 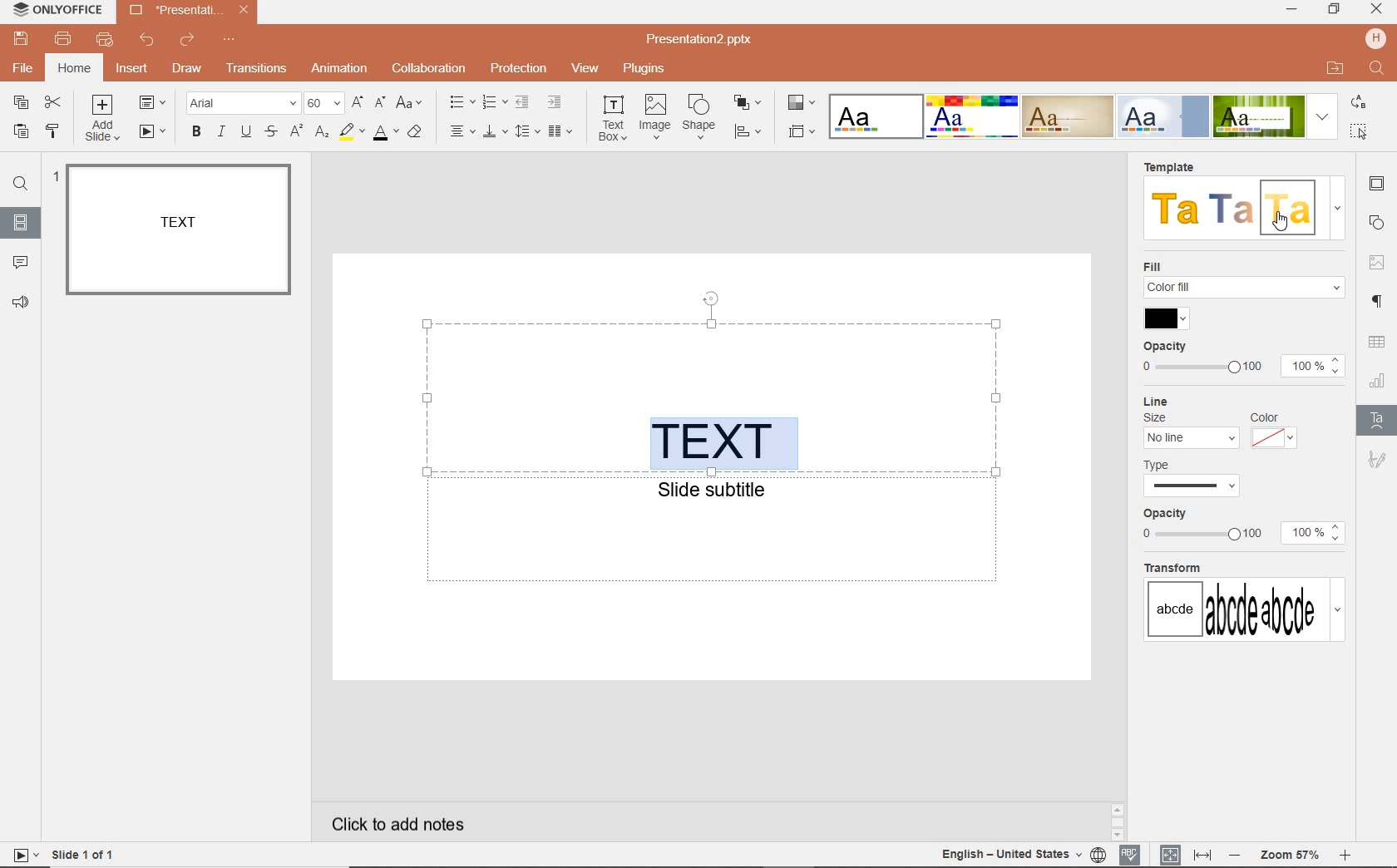 What do you see at coordinates (493, 104) in the screenshot?
I see `NUMBERING` at bounding box center [493, 104].